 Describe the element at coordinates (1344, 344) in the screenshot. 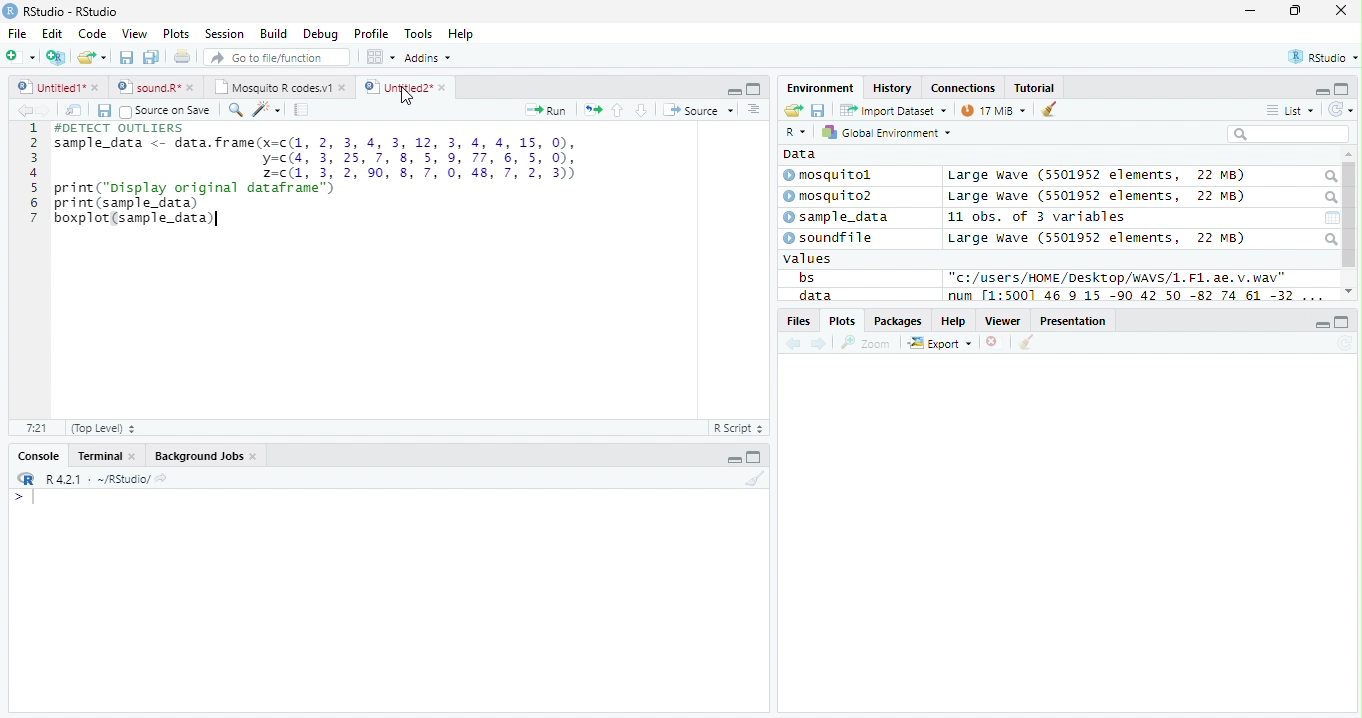

I see `Refresh` at that location.